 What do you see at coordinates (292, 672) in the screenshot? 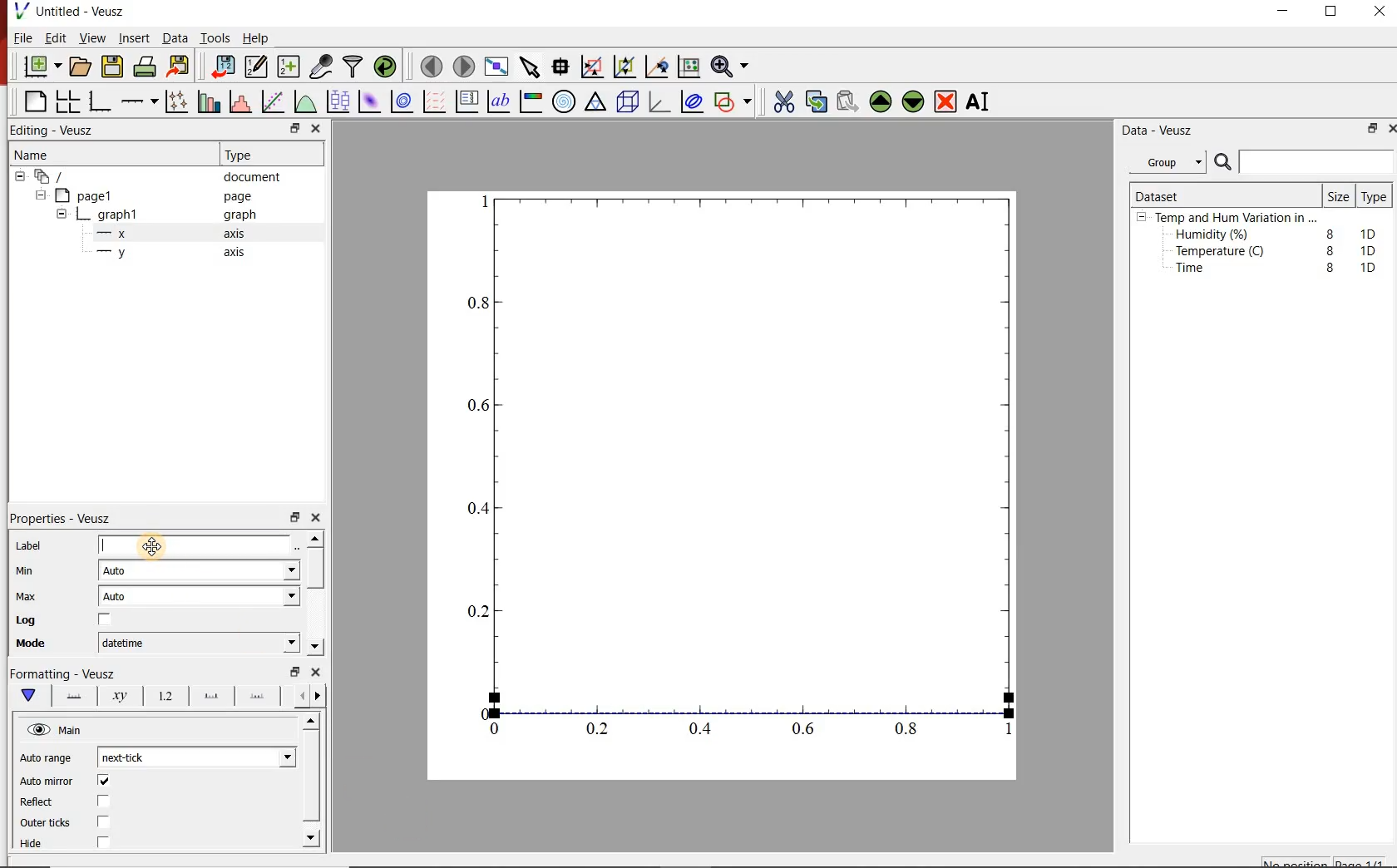
I see `restore down` at bounding box center [292, 672].